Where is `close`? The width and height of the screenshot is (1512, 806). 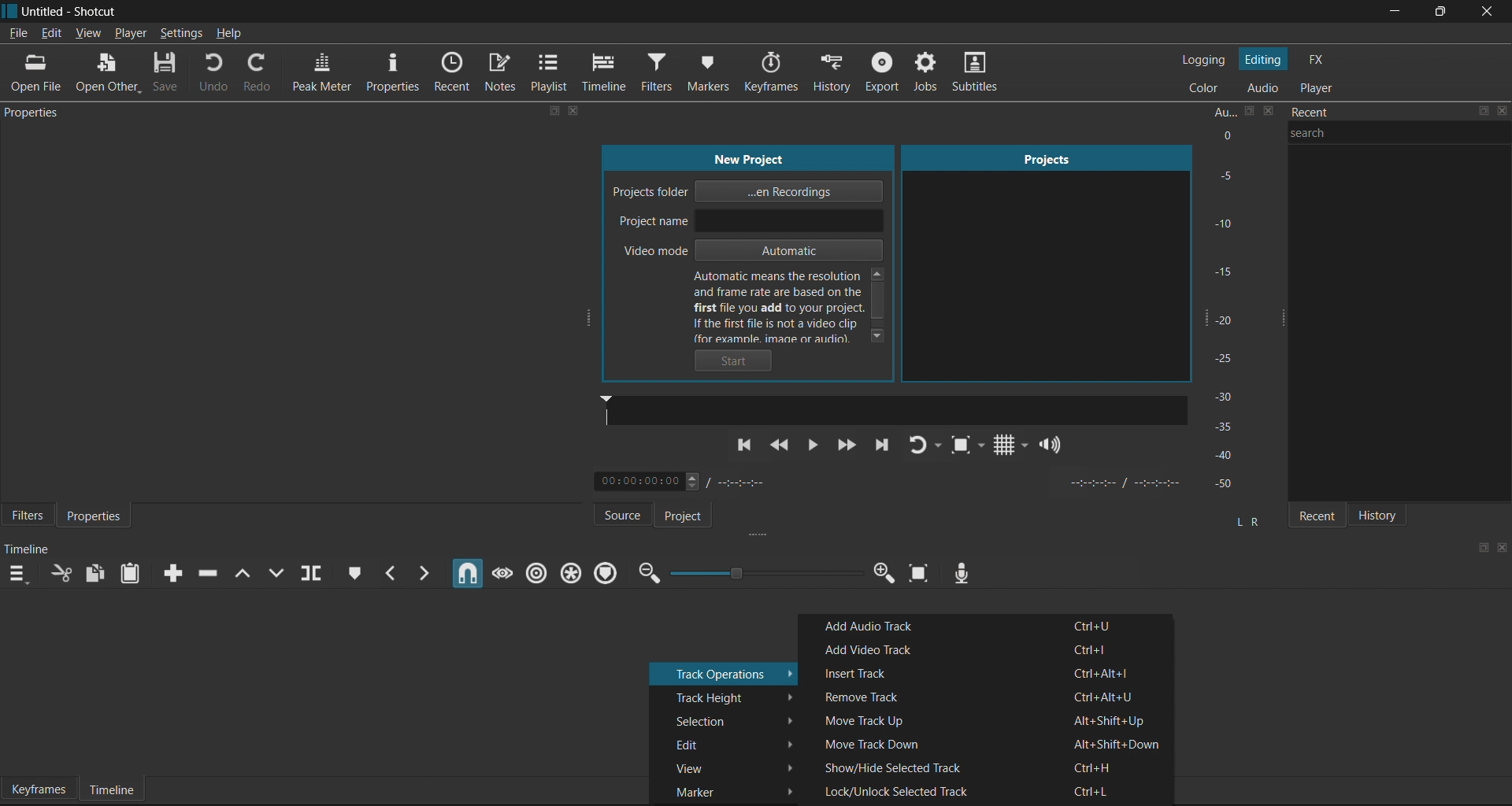
close is located at coordinates (1485, 13).